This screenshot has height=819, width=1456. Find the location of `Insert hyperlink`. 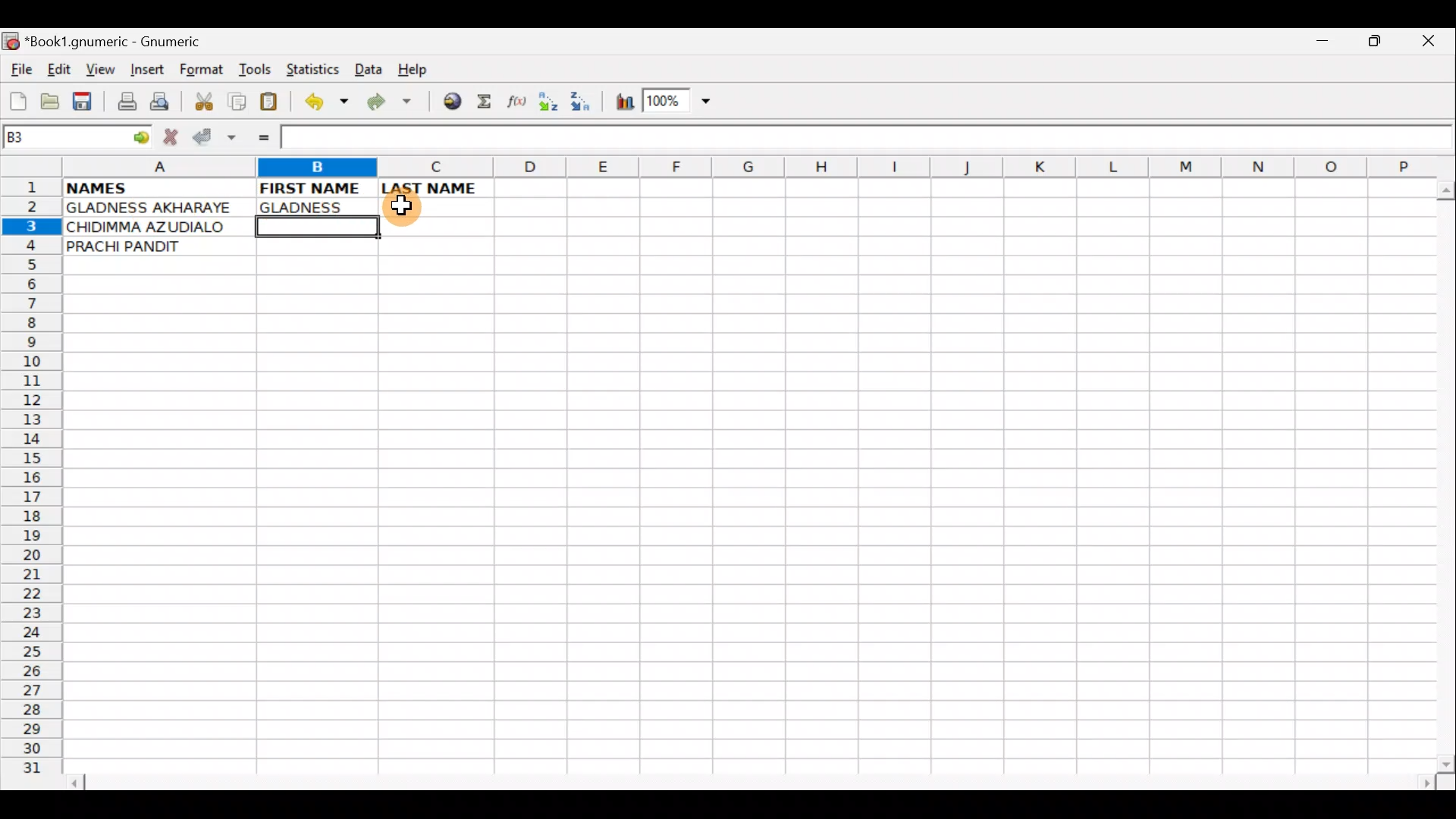

Insert hyperlink is located at coordinates (450, 102).